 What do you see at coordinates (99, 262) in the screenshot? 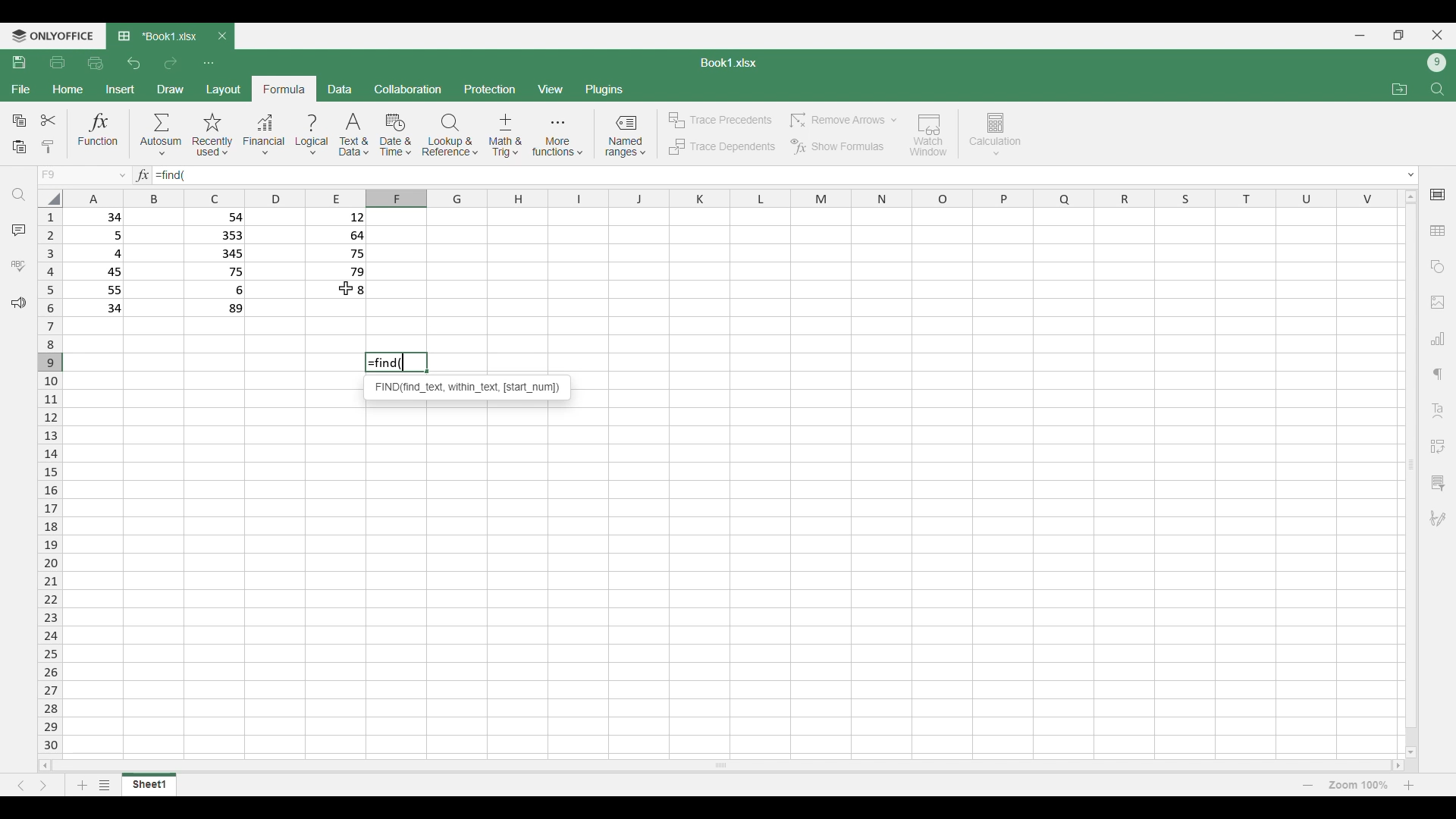
I see `Filled cells` at bounding box center [99, 262].